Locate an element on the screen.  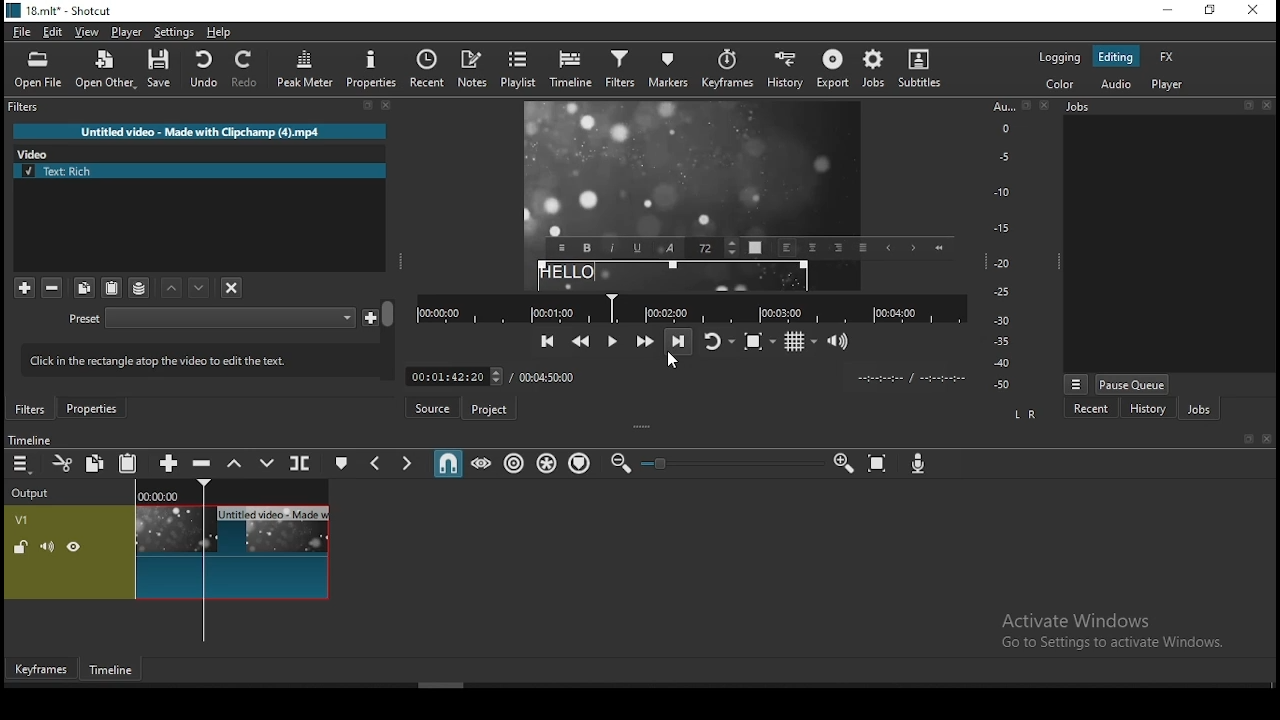
settings is located at coordinates (173, 33).